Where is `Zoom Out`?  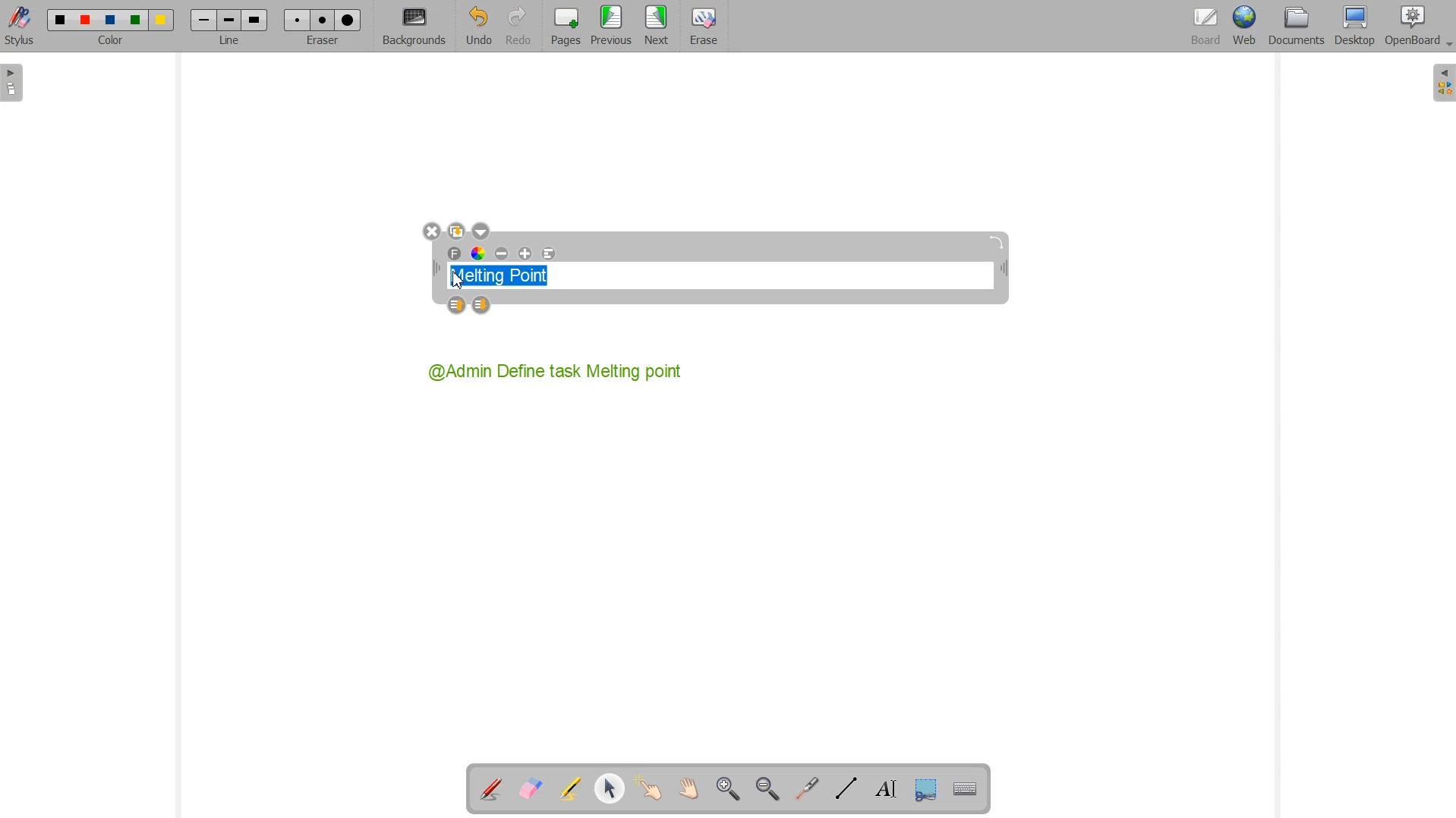
Zoom Out is located at coordinates (767, 788).